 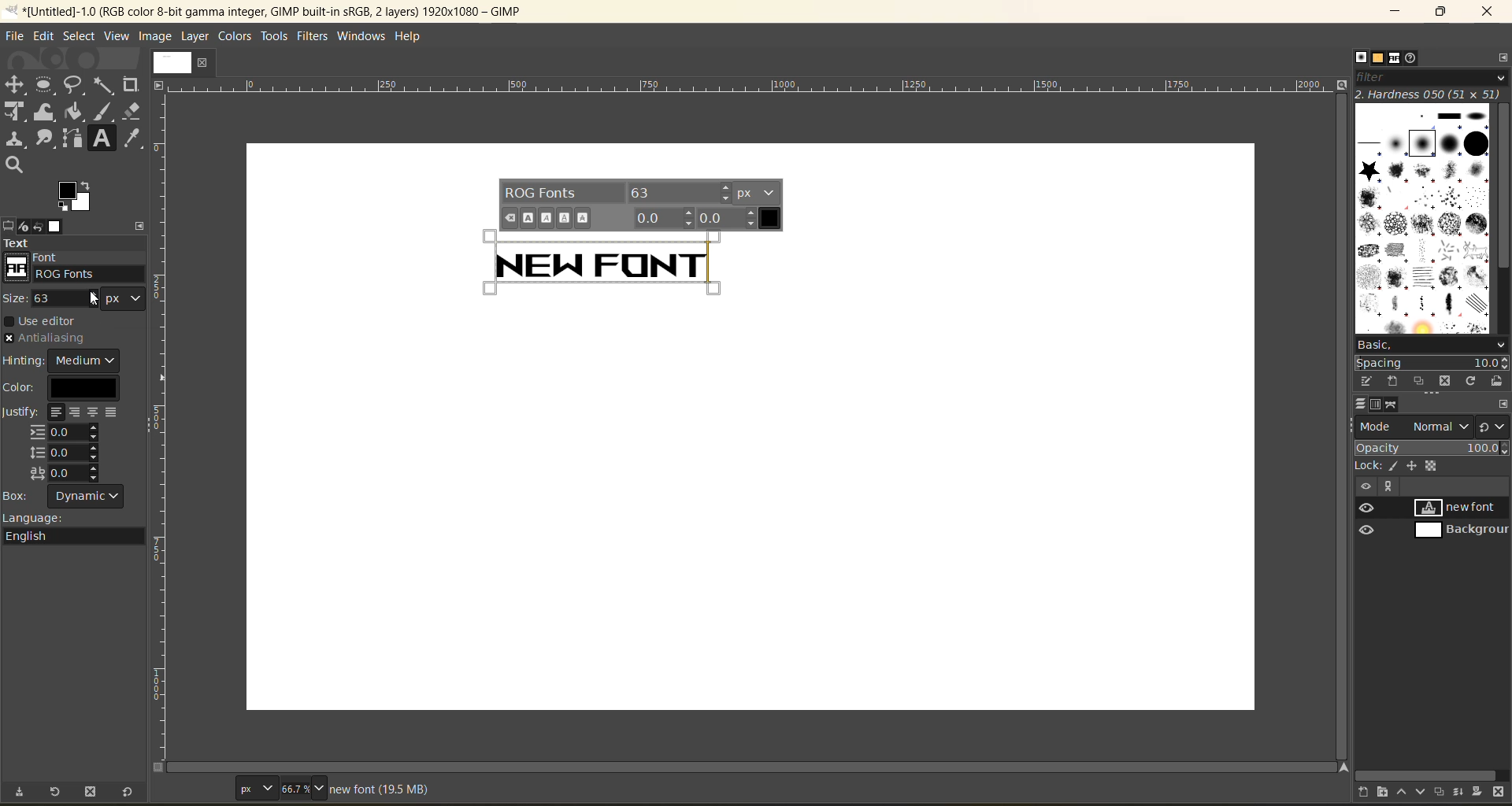 I want to click on box, so click(x=65, y=494).